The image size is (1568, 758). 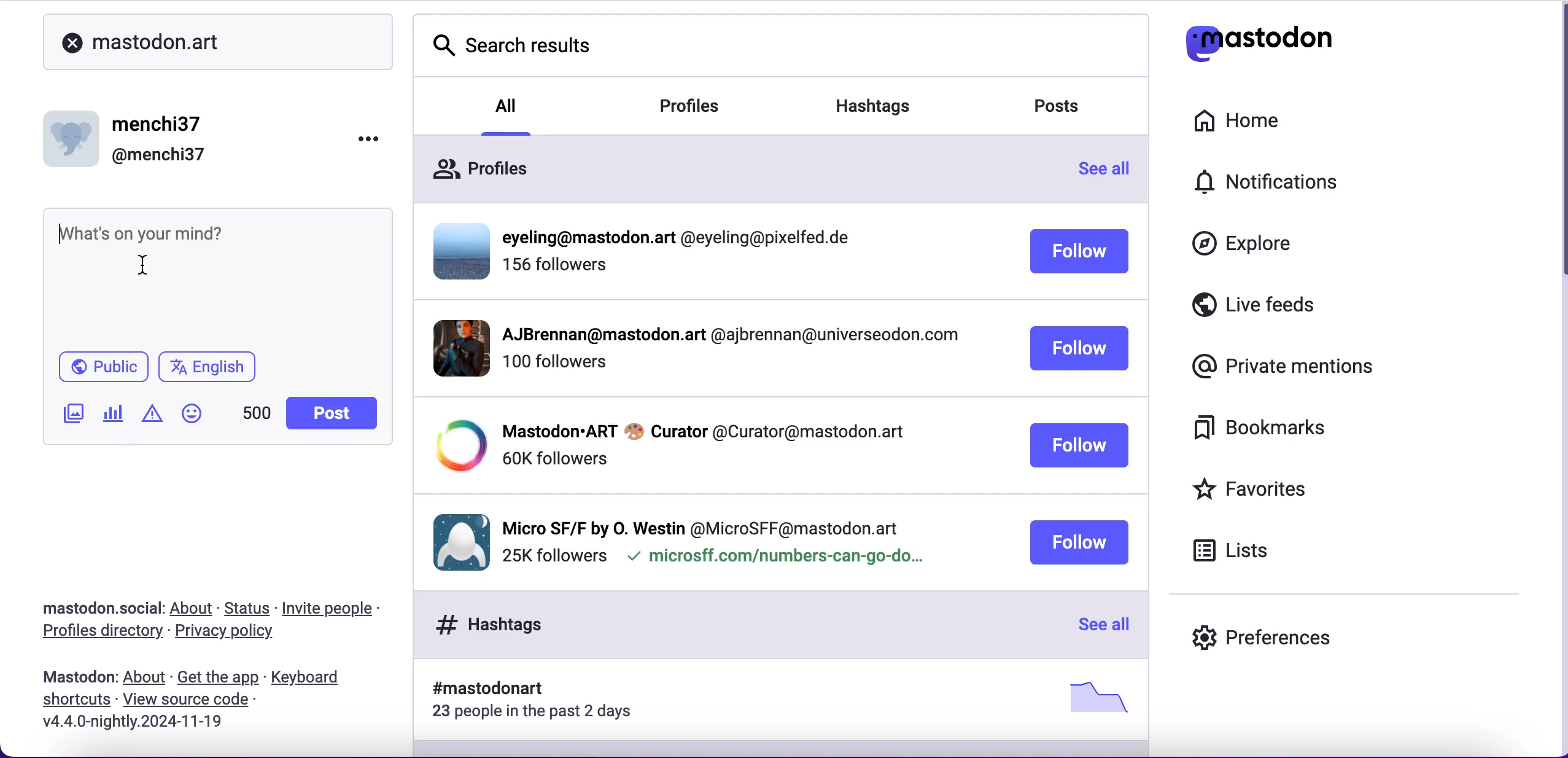 I want to click on hashtag, so click(x=480, y=689).